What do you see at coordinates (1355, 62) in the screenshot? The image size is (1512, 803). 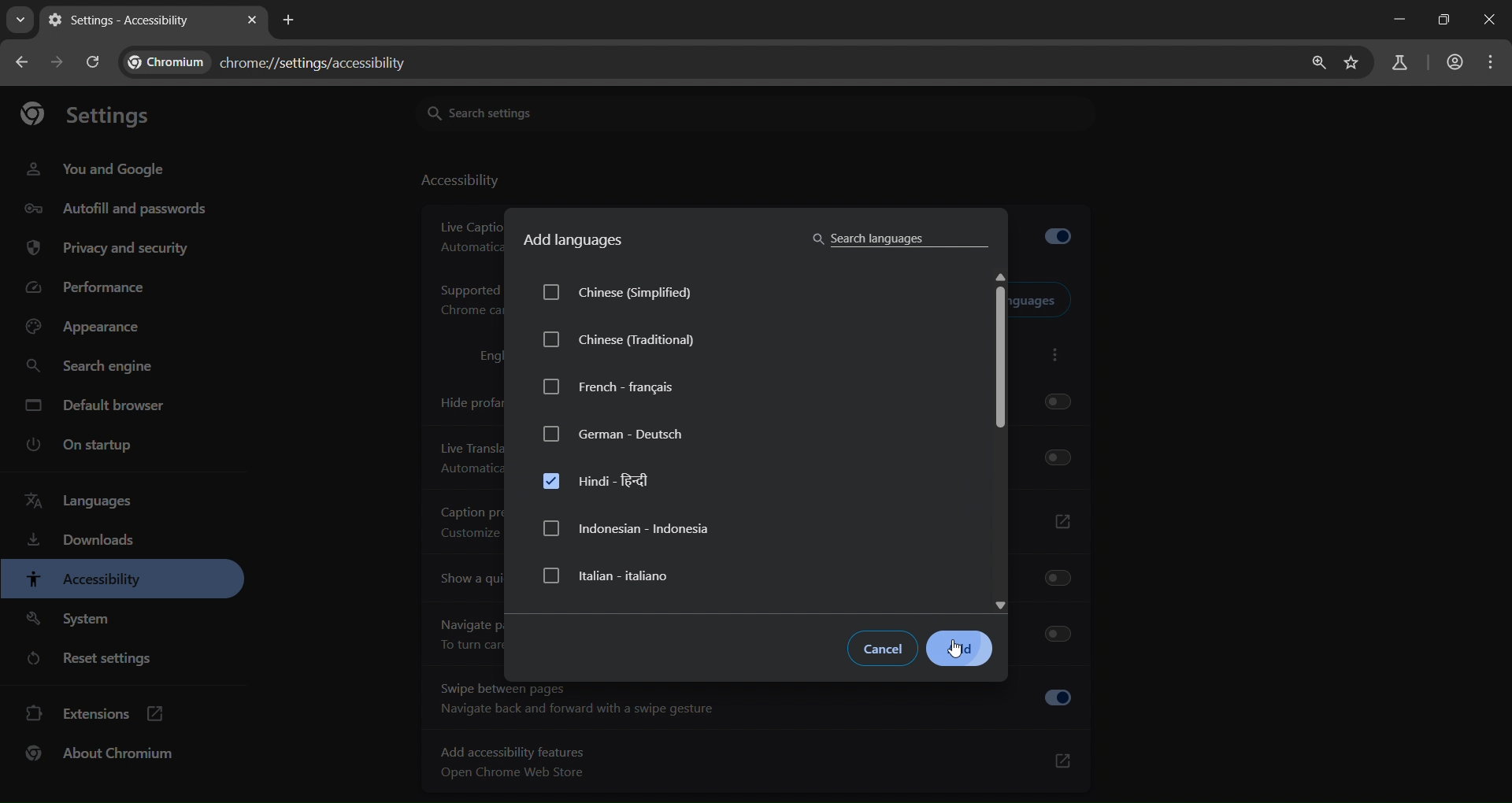 I see `bookmark page` at bounding box center [1355, 62].